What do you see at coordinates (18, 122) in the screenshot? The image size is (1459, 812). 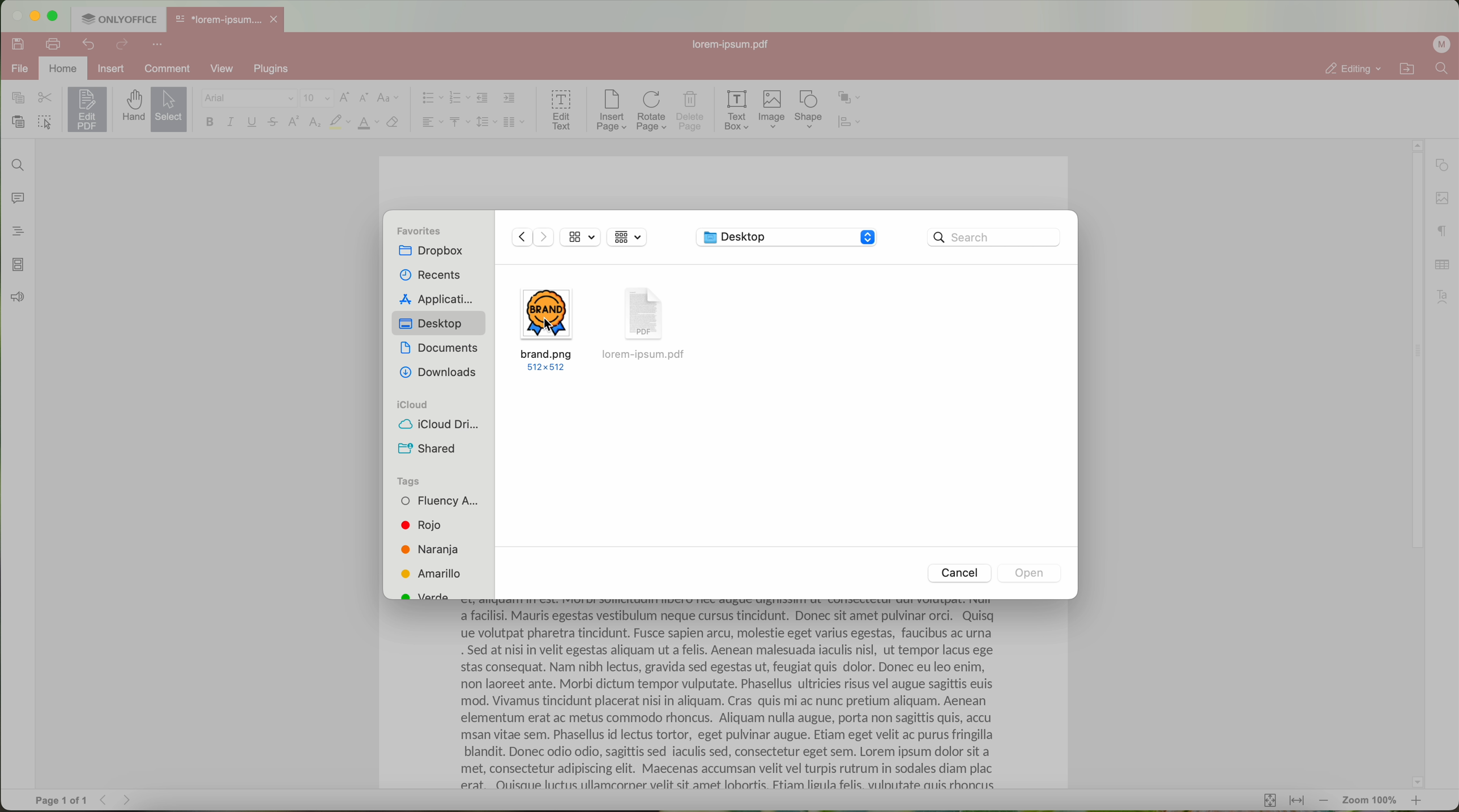 I see `paste` at bounding box center [18, 122].